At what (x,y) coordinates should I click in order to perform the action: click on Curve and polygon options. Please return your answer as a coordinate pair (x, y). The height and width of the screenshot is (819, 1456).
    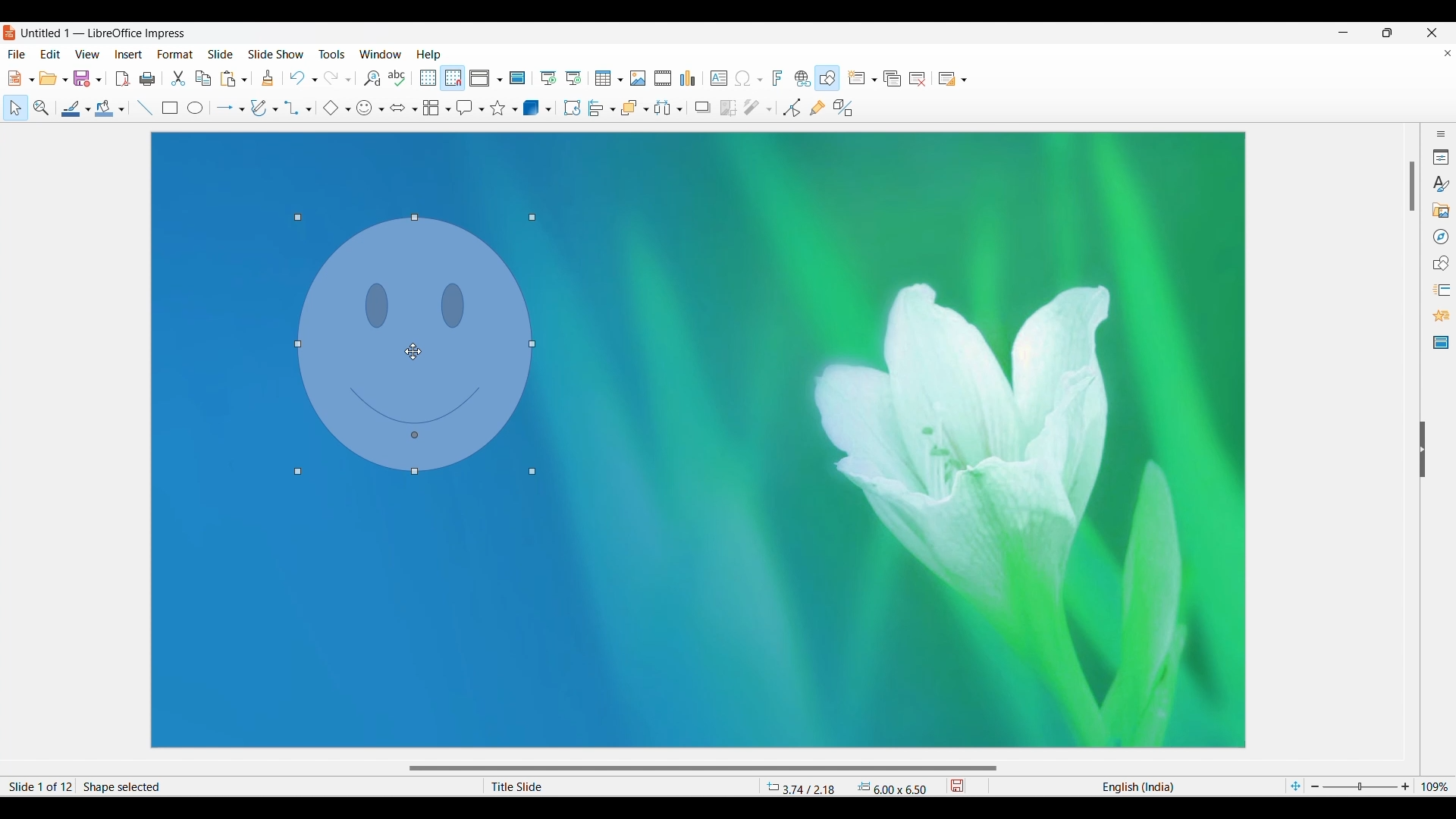
    Looking at the image, I should click on (275, 109).